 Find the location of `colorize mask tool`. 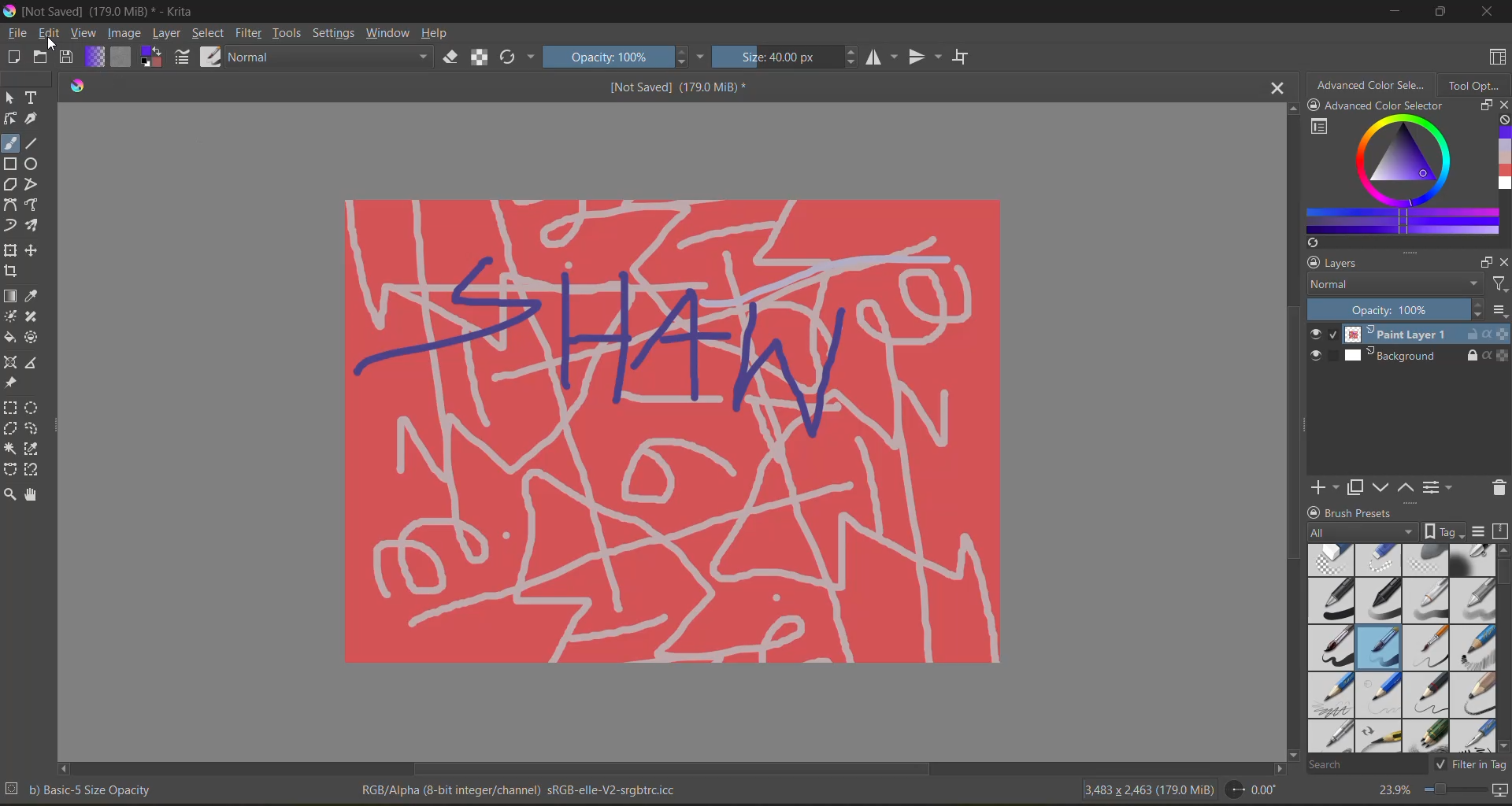

colorize mask tool is located at coordinates (11, 316).